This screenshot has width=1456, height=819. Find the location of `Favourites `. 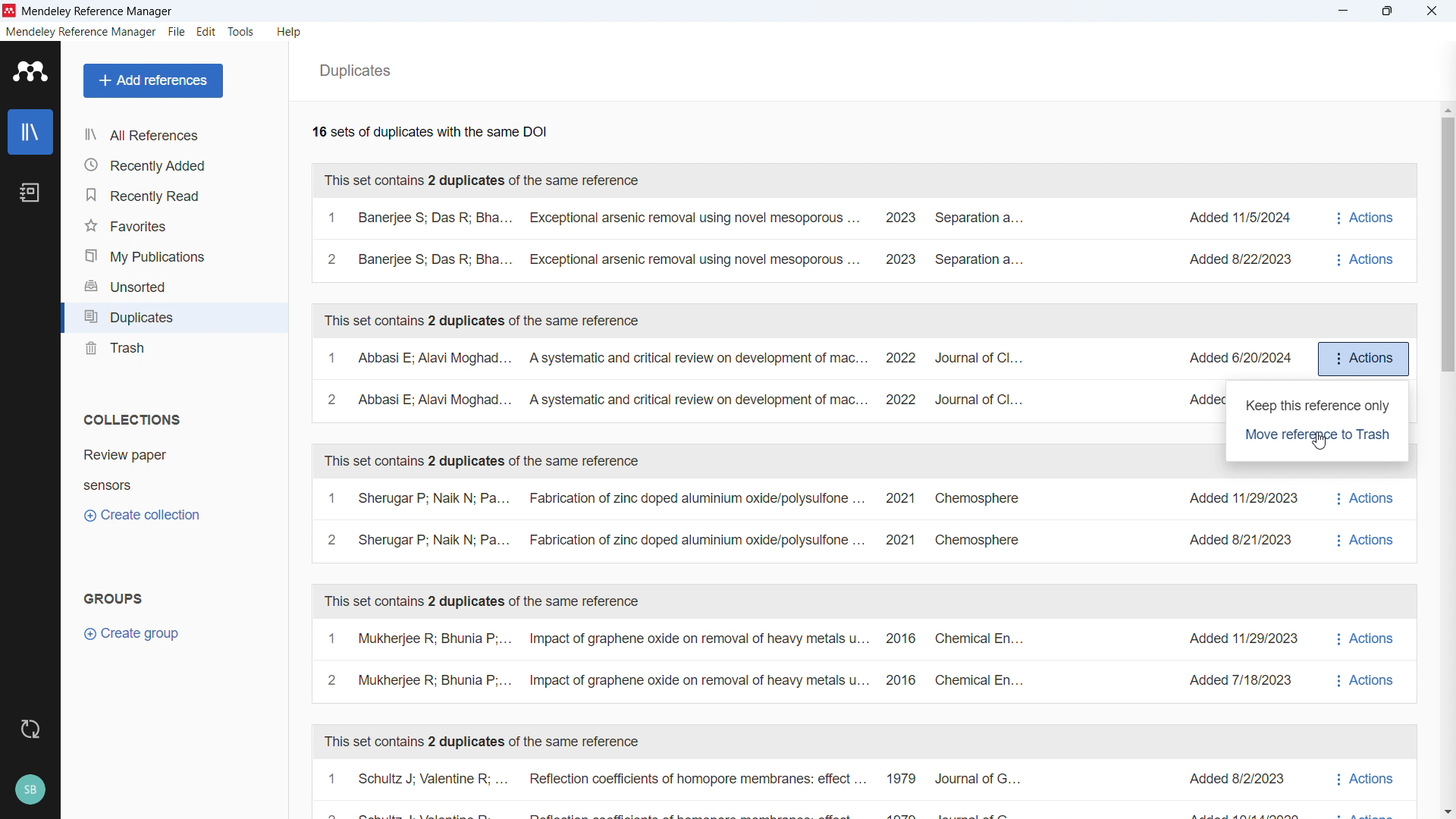

Favourites  is located at coordinates (173, 223).